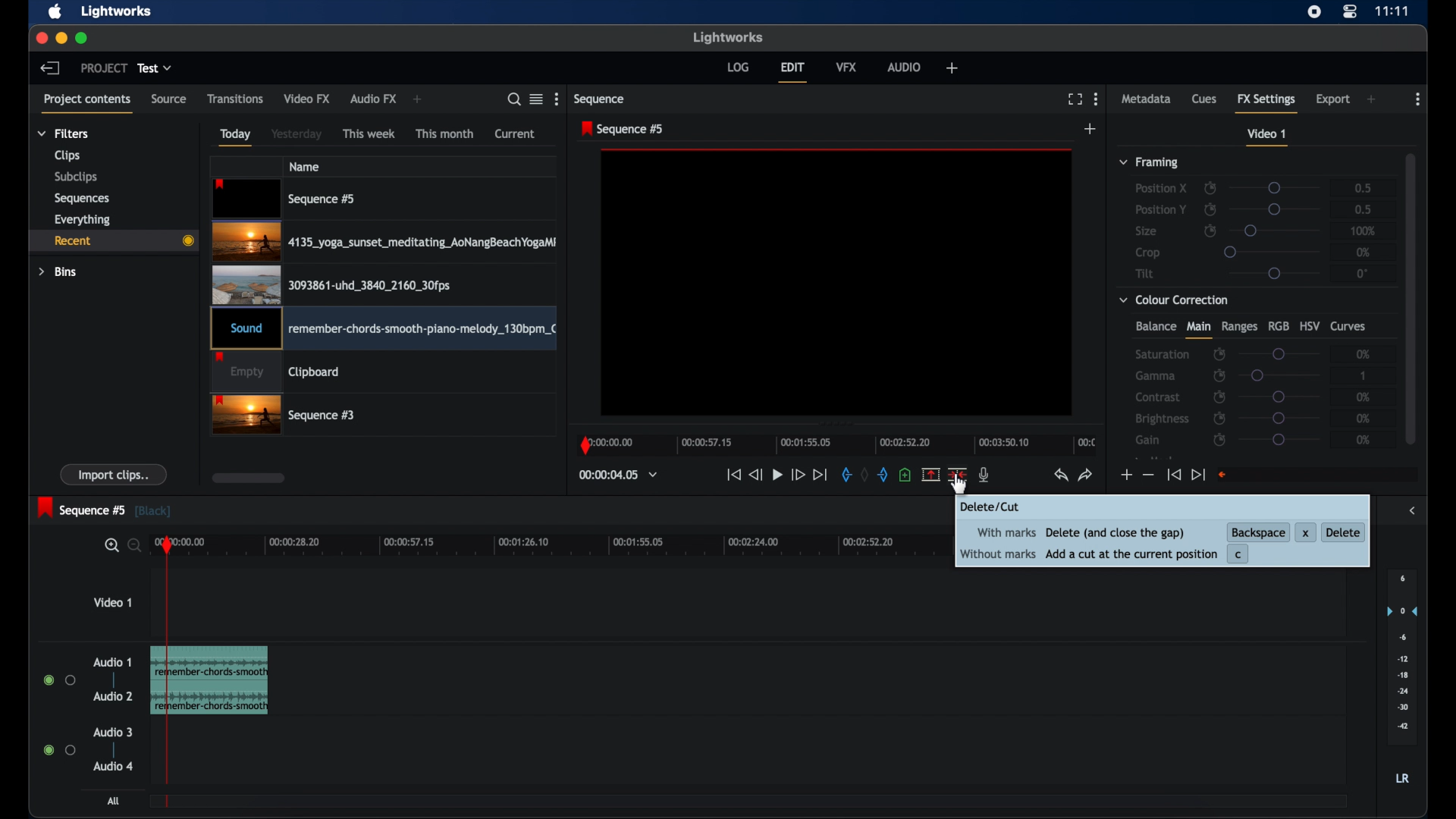 The width and height of the screenshot is (1456, 819). What do you see at coordinates (369, 134) in the screenshot?
I see `this week` at bounding box center [369, 134].